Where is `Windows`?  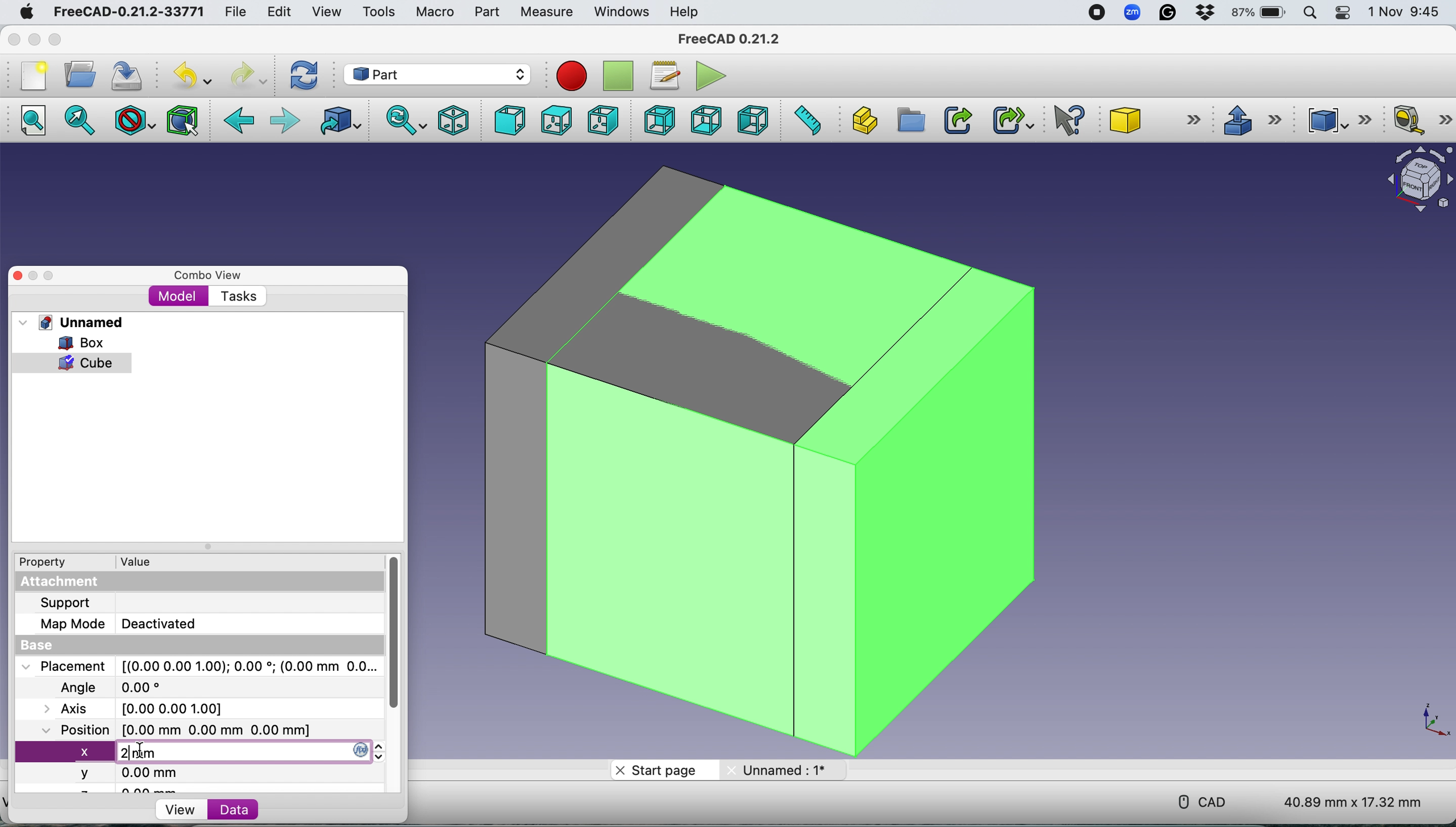
Windows is located at coordinates (622, 12).